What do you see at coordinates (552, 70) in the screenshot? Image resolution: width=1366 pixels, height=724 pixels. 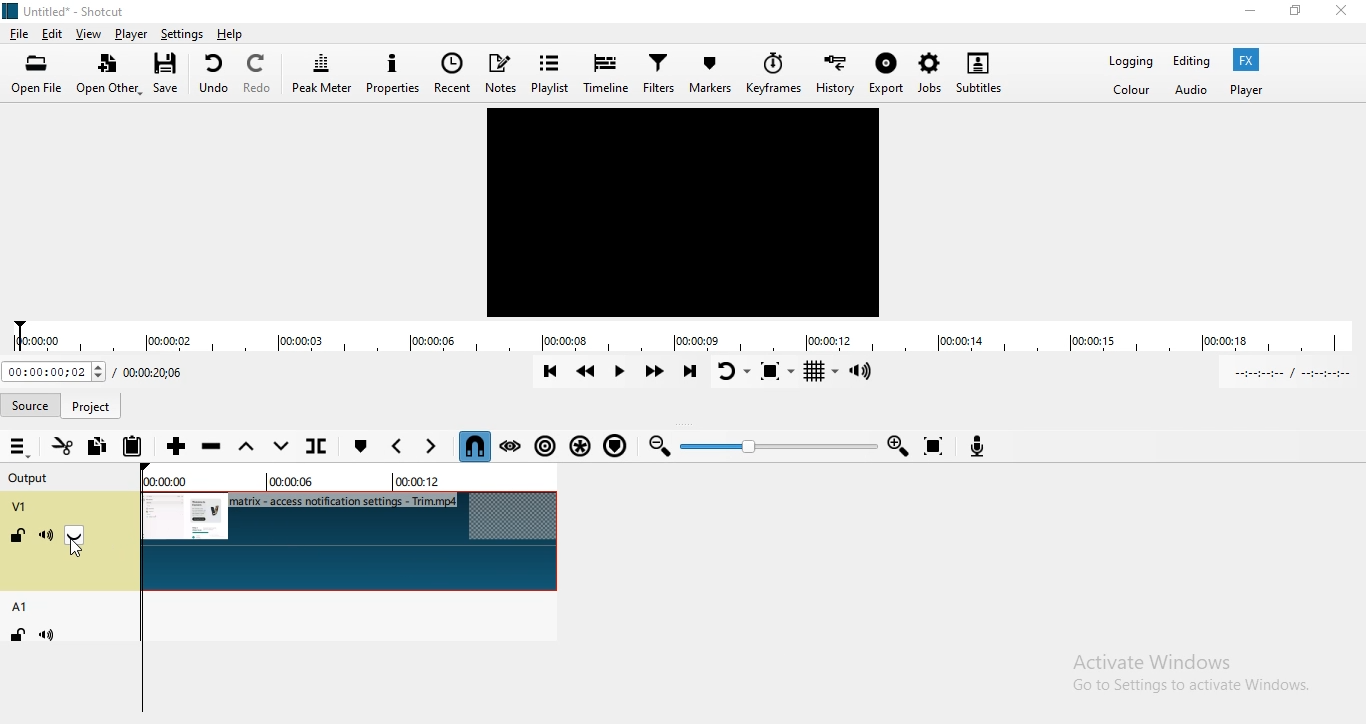 I see `Playlist` at bounding box center [552, 70].